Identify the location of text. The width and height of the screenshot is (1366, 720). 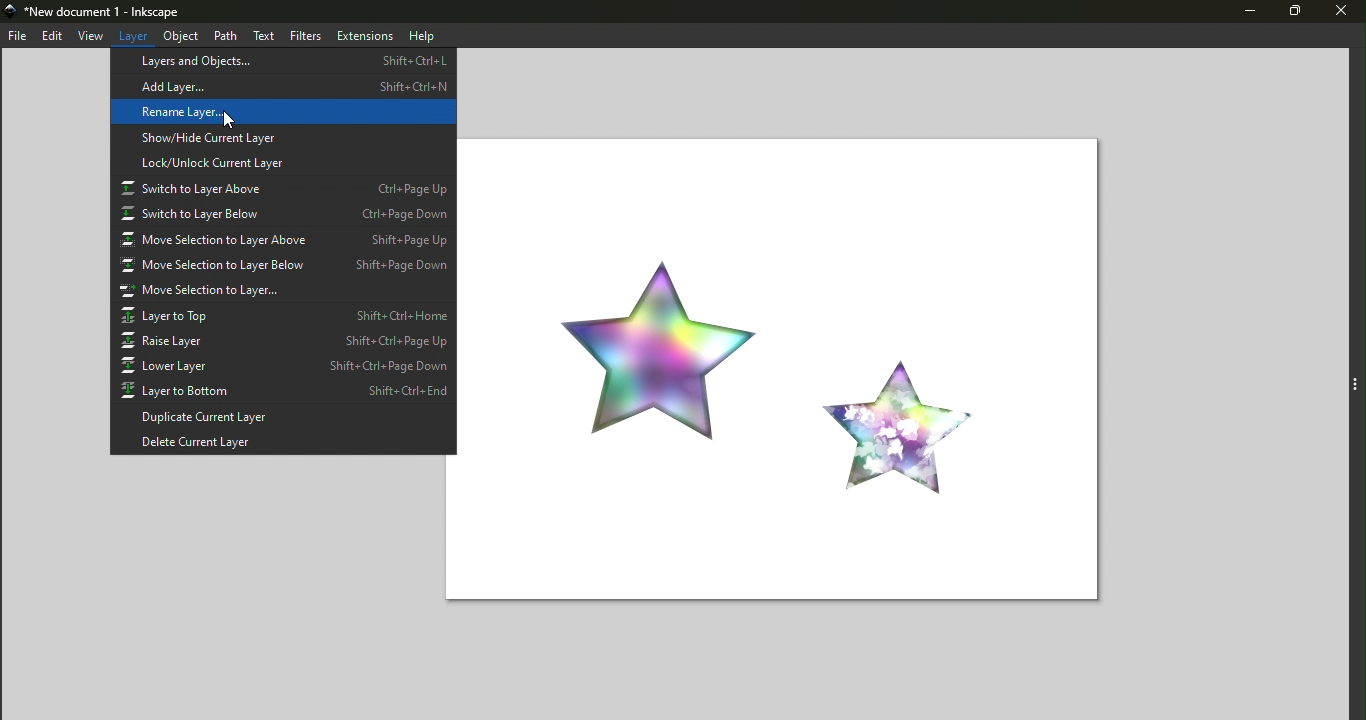
(265, 35).